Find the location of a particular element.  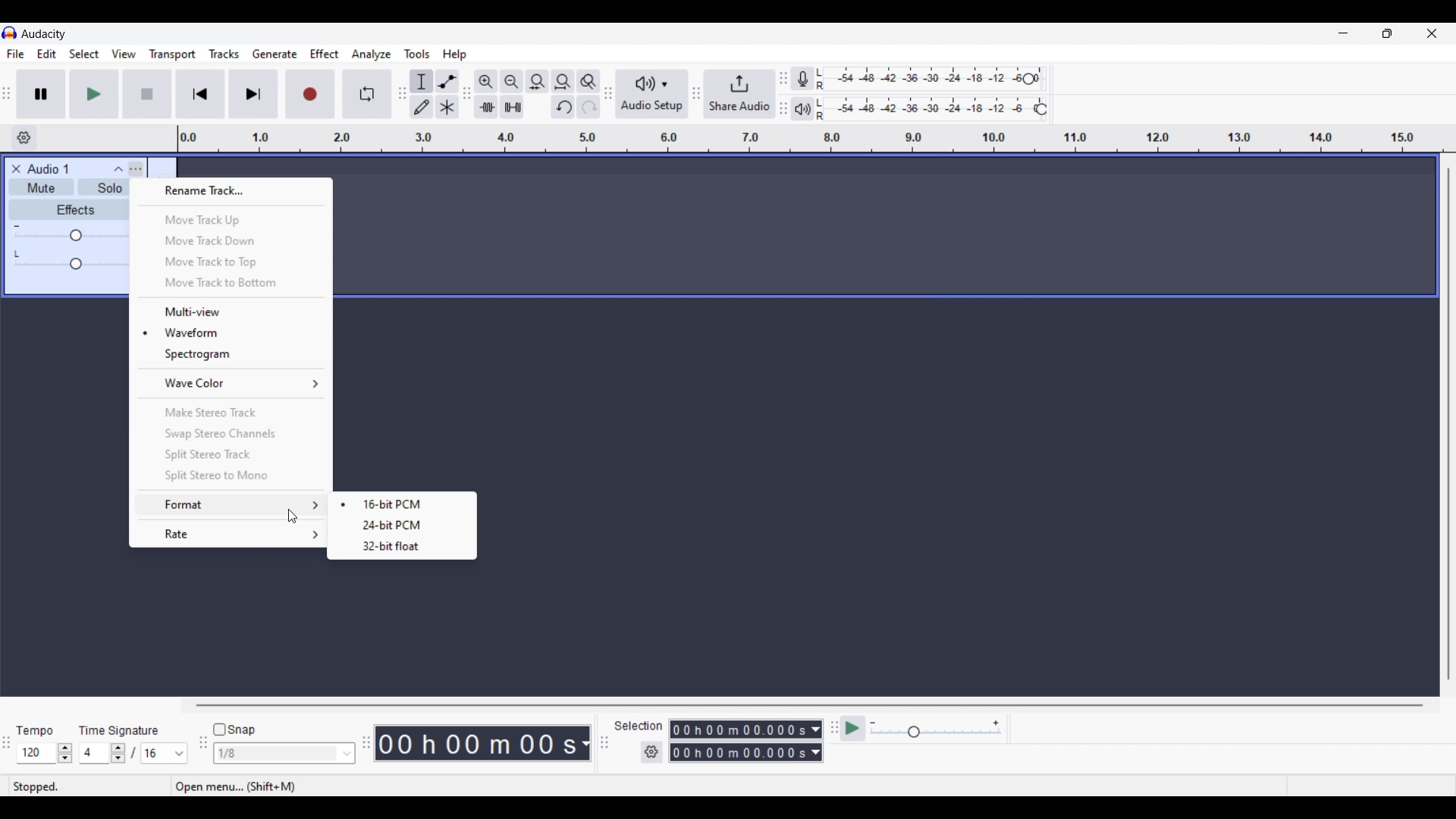

Cursor moving over Format options is located at coordinates (293, 516).